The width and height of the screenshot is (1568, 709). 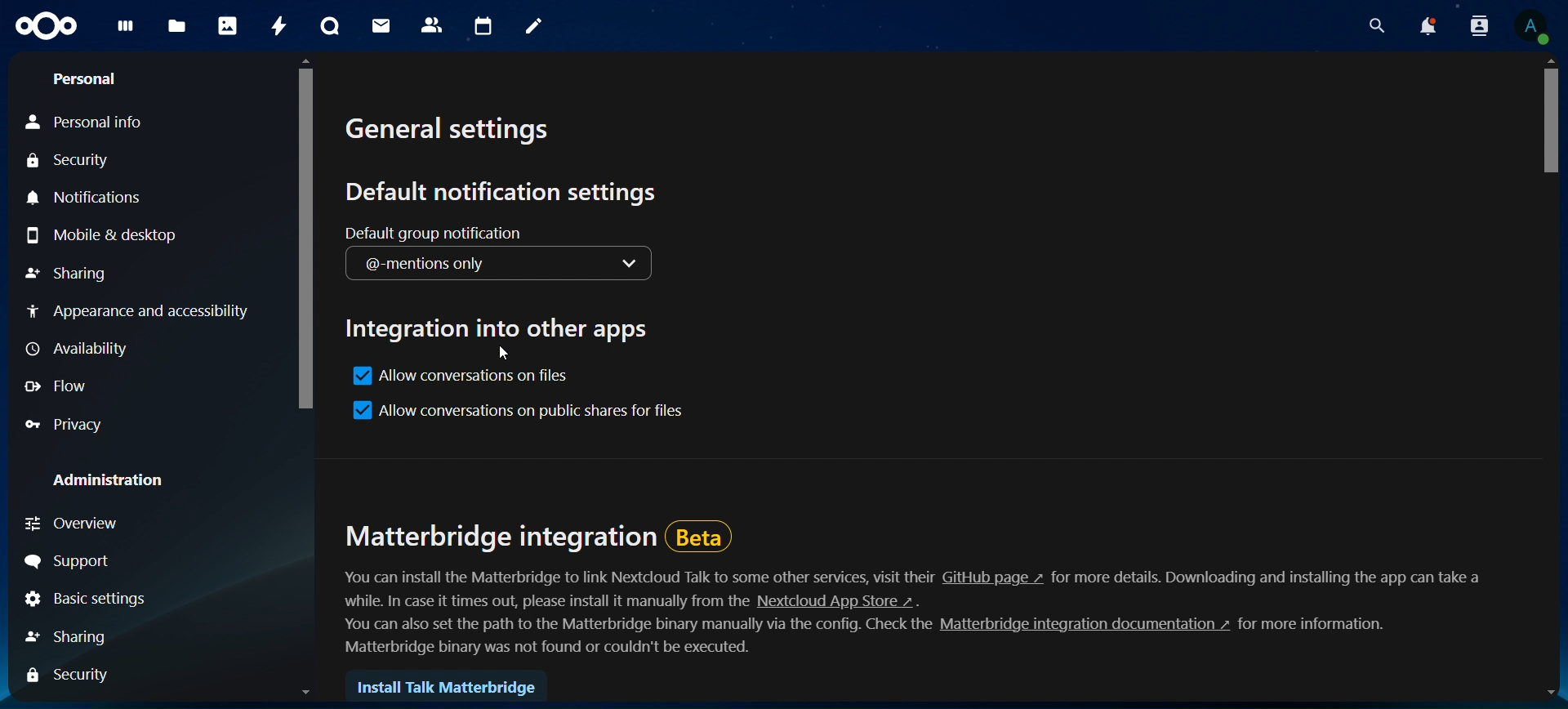 What do you see at coordinates (444, 233) in the screenshot?
I see `default group notification` at bounding box center [444, 233].